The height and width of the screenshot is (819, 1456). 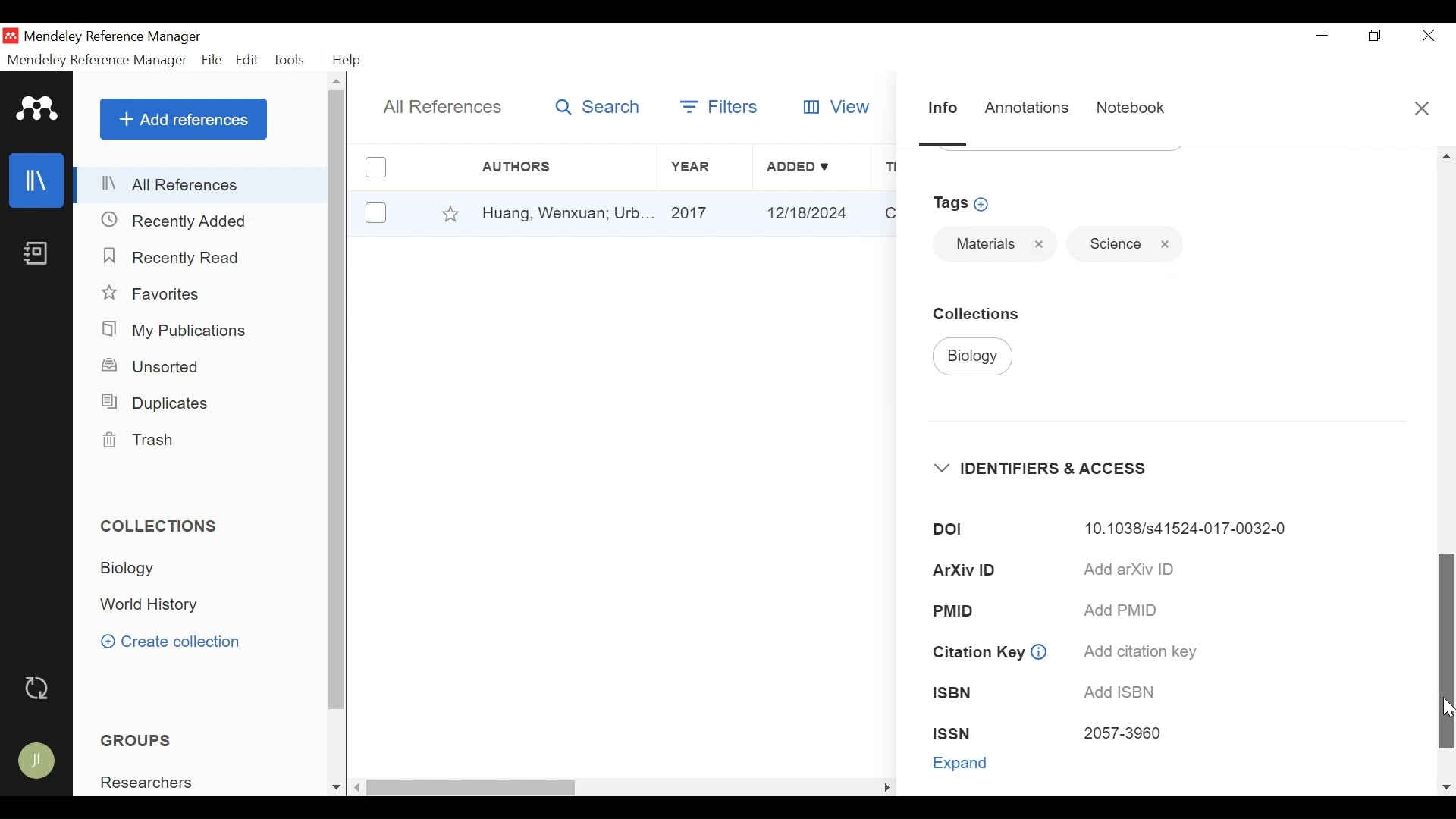 What do you see at coordinates (176, 258) in the screenshot?
I see `Recently Read` at bounding box center [176, 258].